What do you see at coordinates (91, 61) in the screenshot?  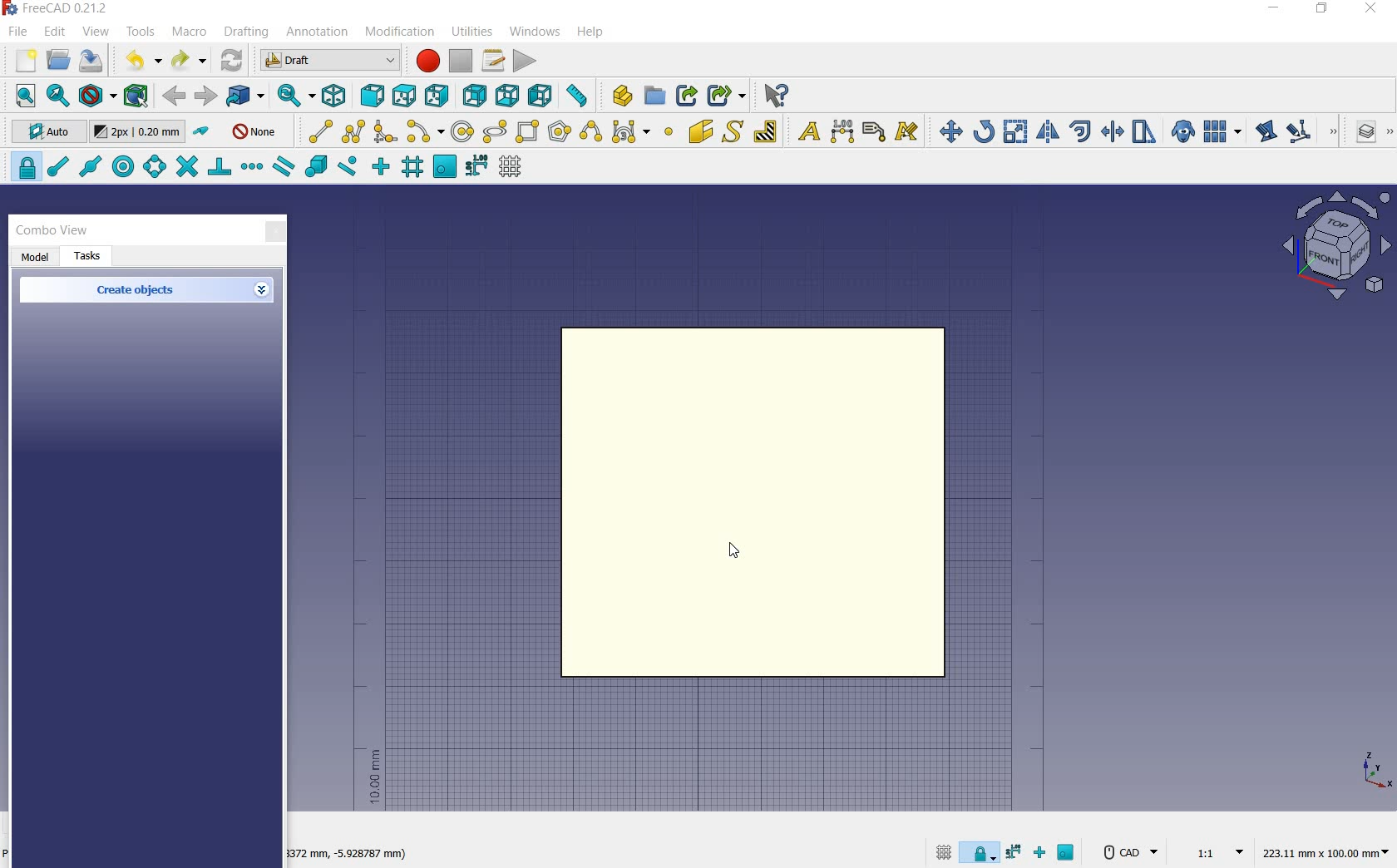 I see `save` at bounding box center [91, 61].